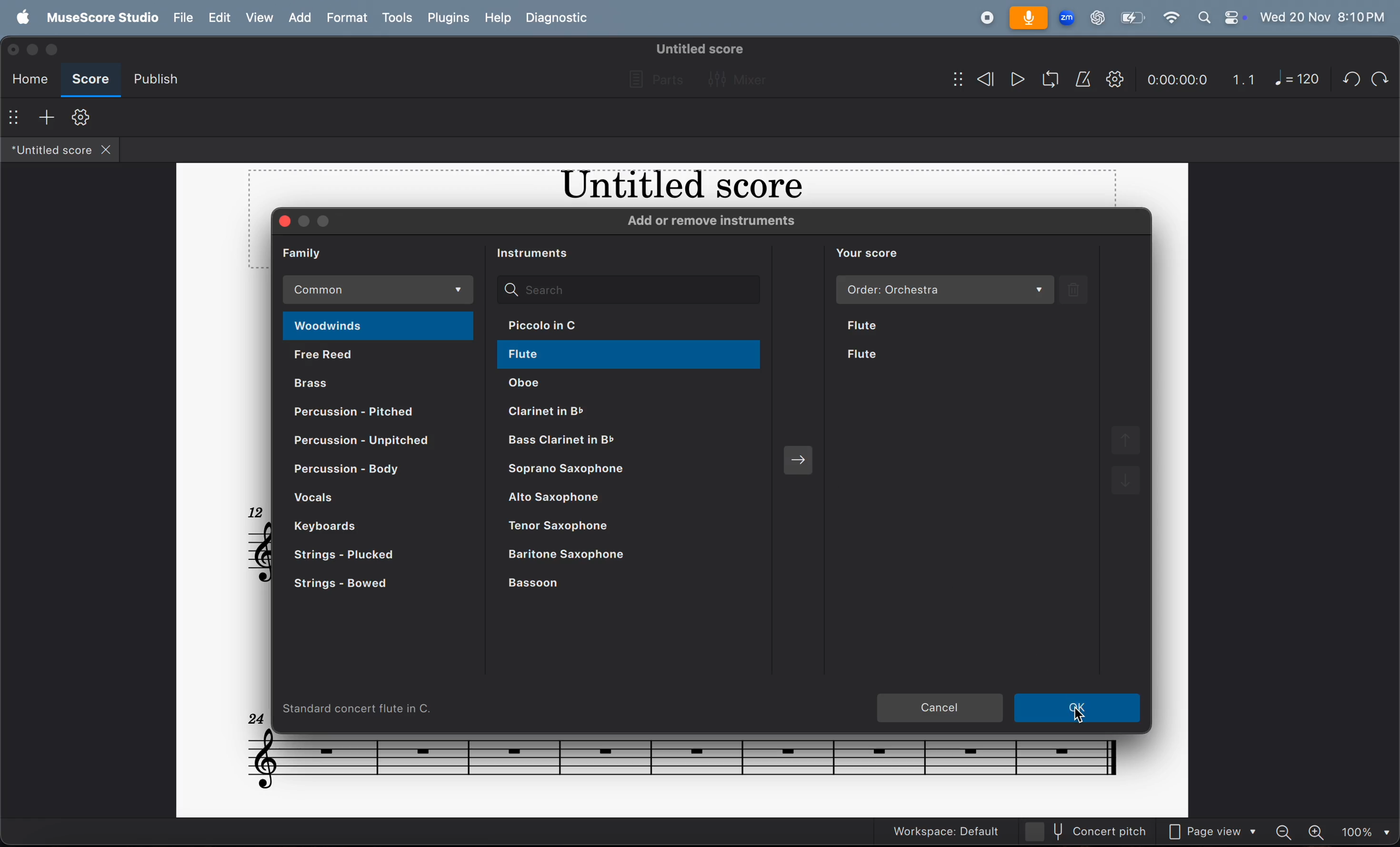  I want to click on playback setting, so click(1115, 81).